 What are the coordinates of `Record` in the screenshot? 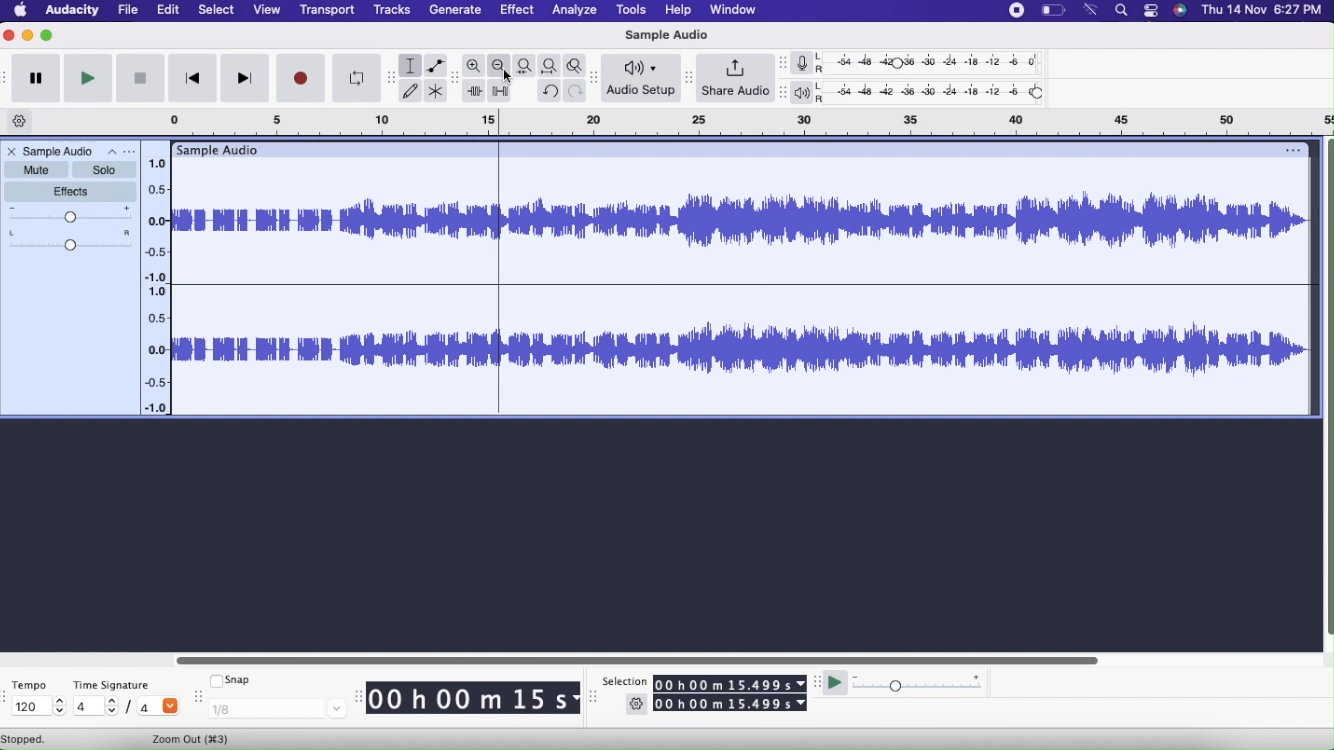 It's located at (300, 79).